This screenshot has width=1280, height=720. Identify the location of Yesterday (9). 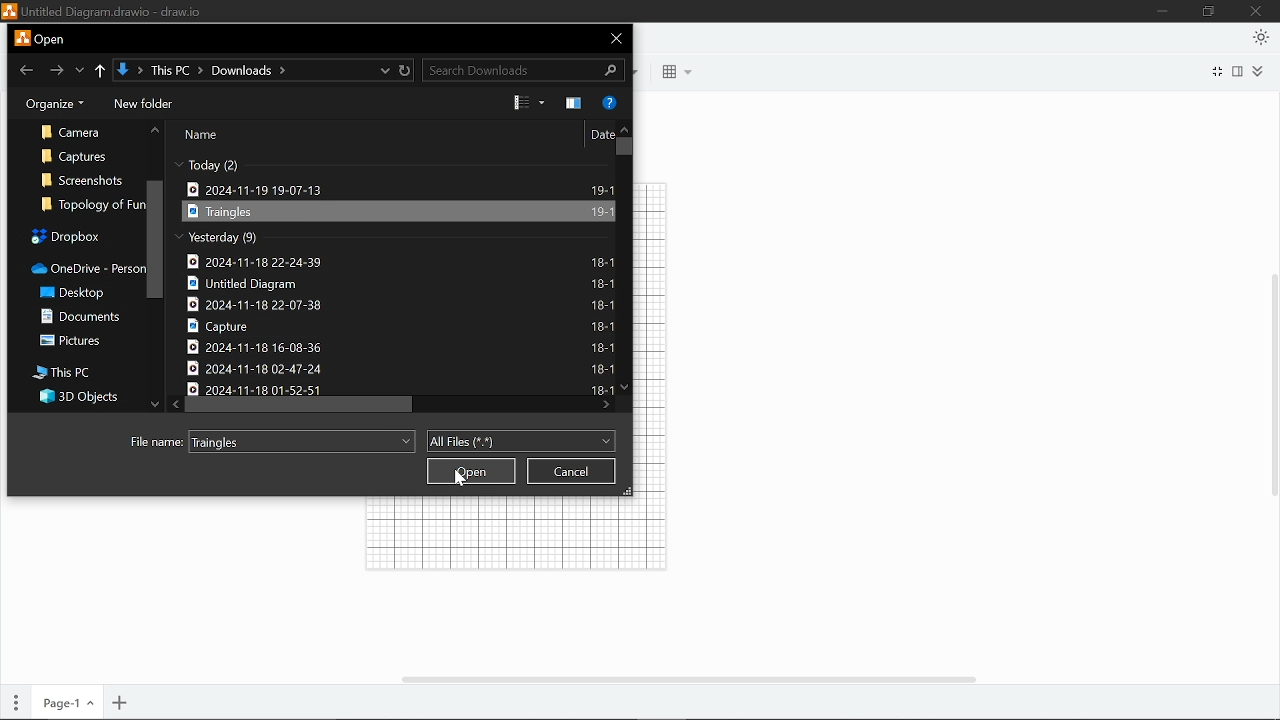
(217, 237).